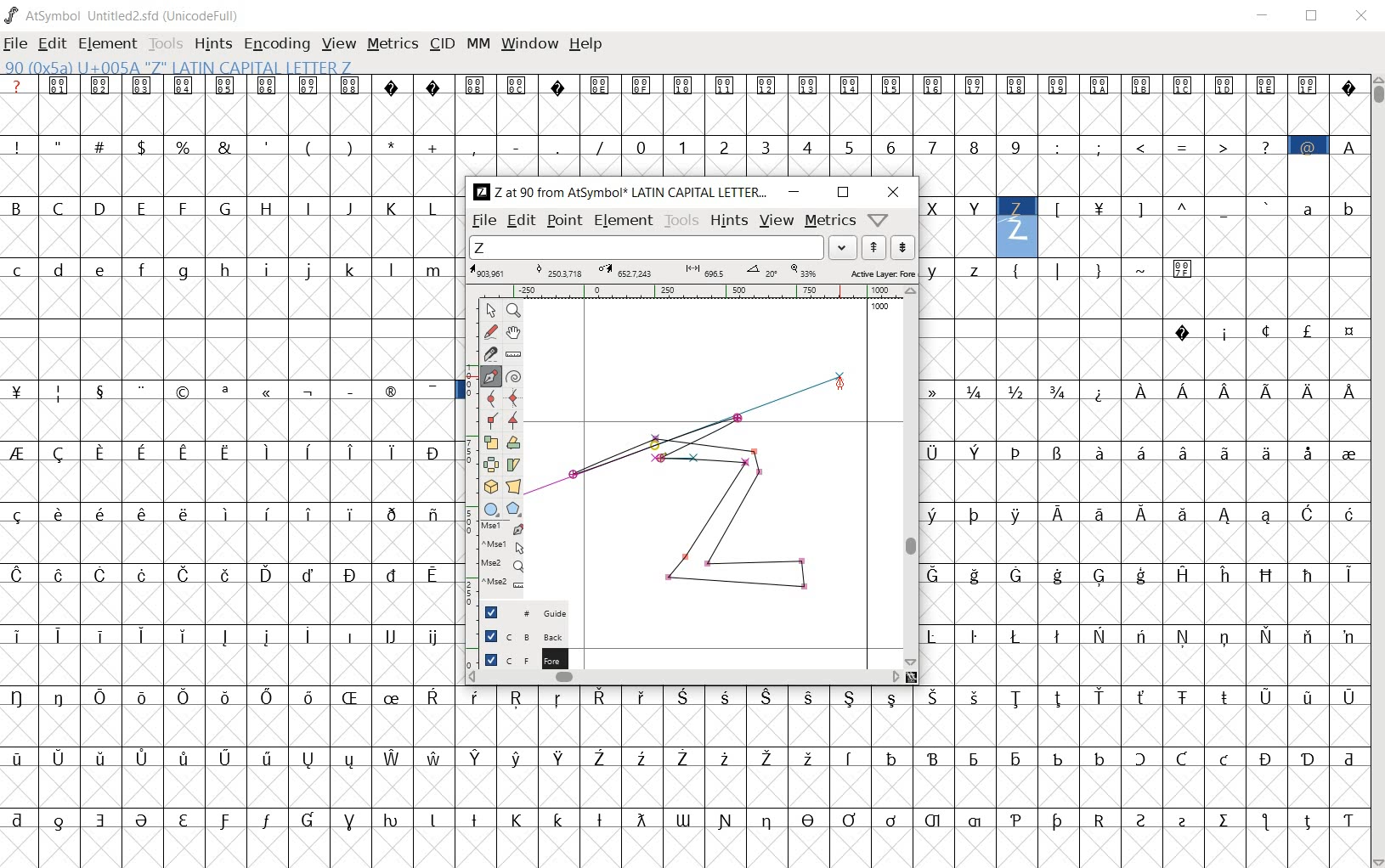 Image resolution: width=1385 pixels, height=868 pixels. What do you see at coordinates (513, 375) in the screenshot?
I see `change whether spiro is active or not` at bounding box center [513, 375].